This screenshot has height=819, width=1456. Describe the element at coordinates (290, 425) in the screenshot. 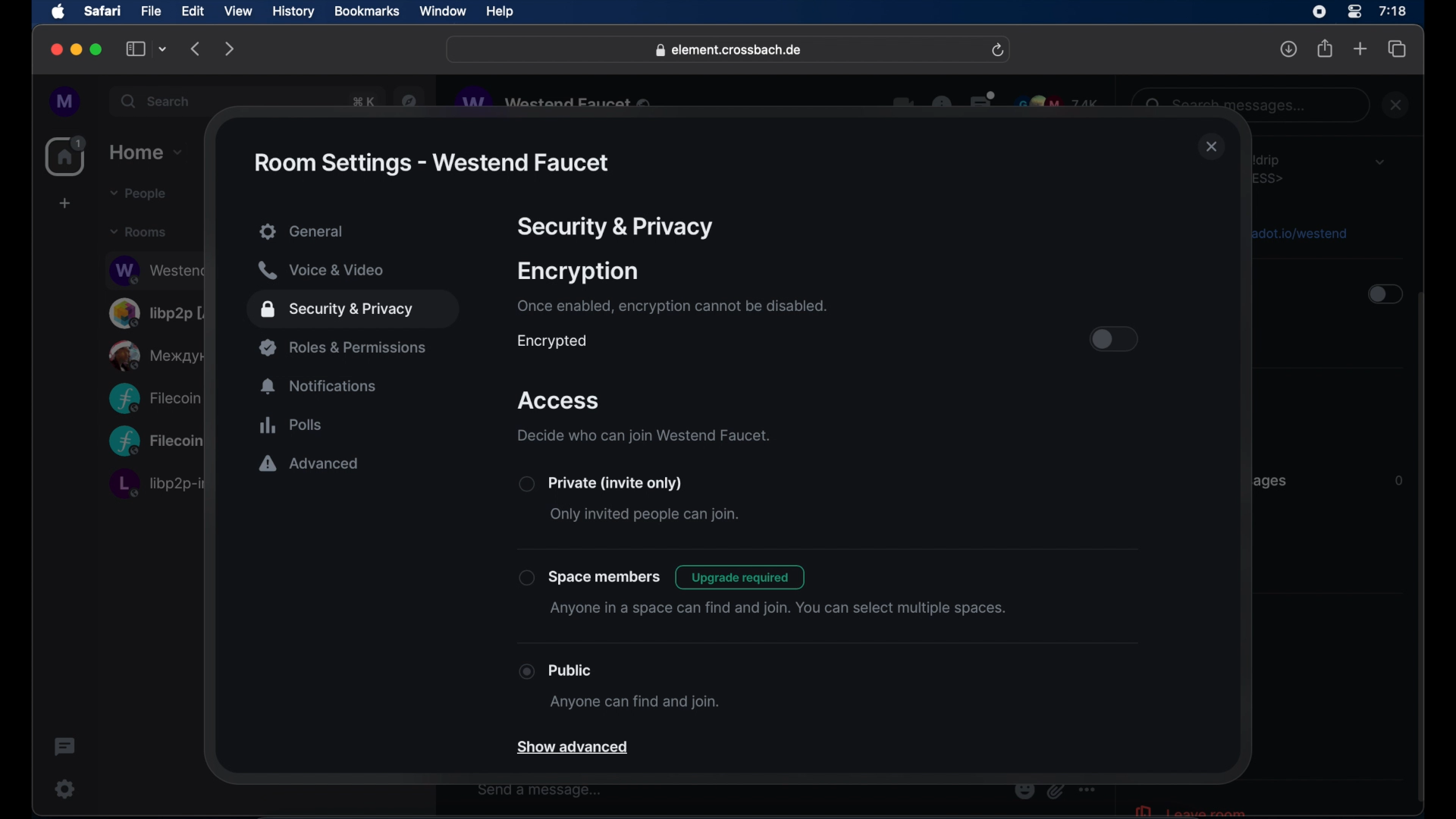

I see `polls` at that location.